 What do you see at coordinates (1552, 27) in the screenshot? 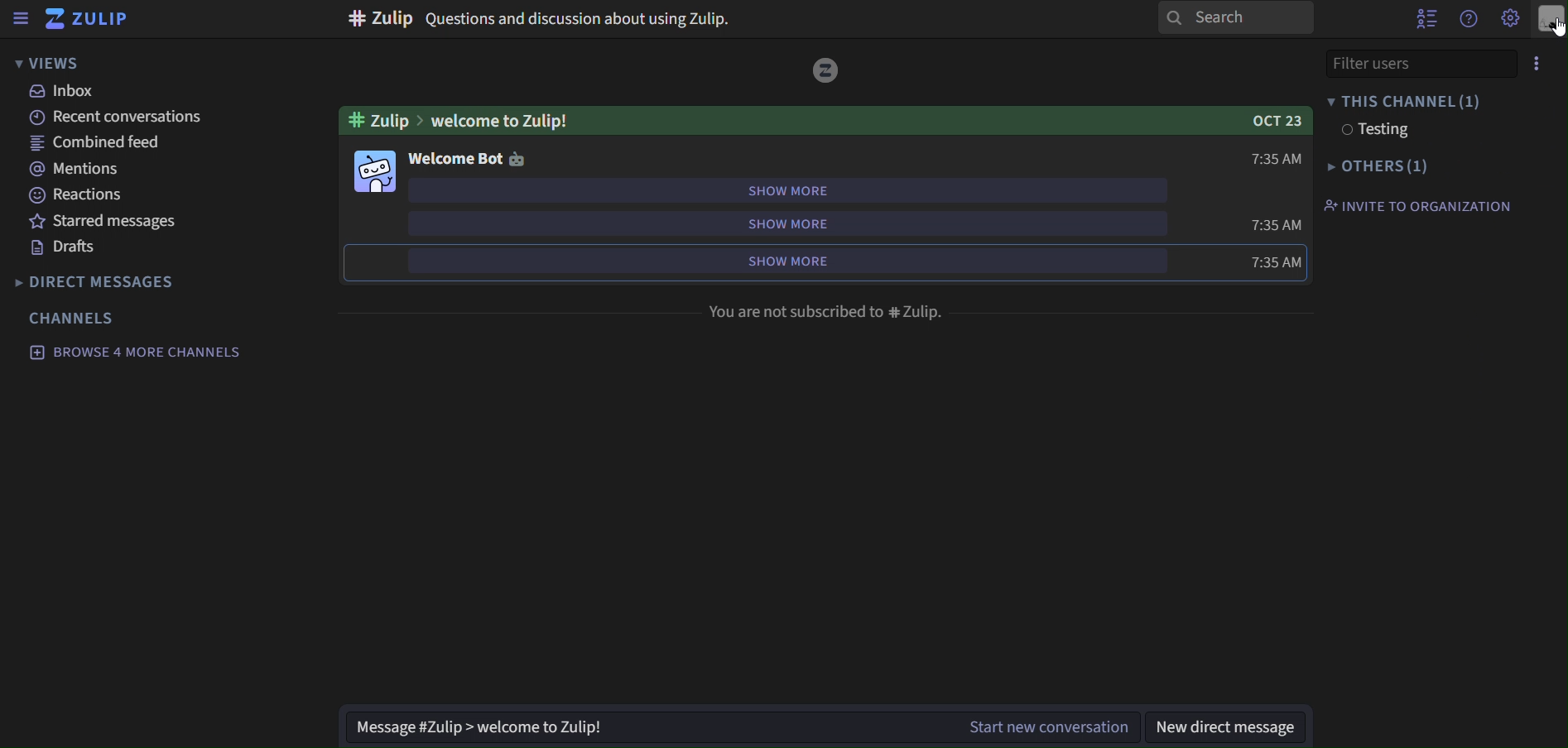
I see `Cursor` at bounding box center [1552, 27].